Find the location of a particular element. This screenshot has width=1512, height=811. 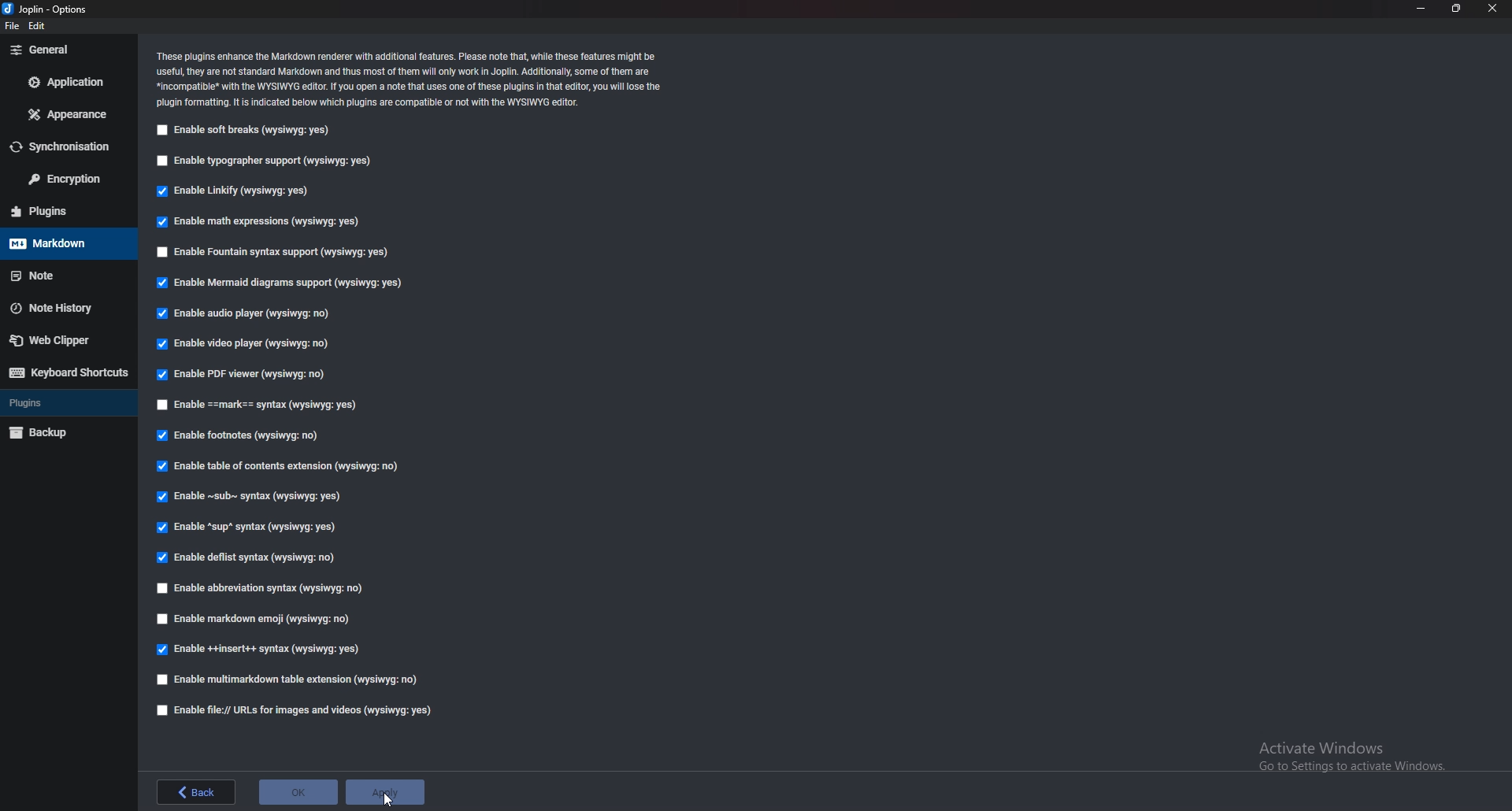

Note history is located at coordinates (70, 307).